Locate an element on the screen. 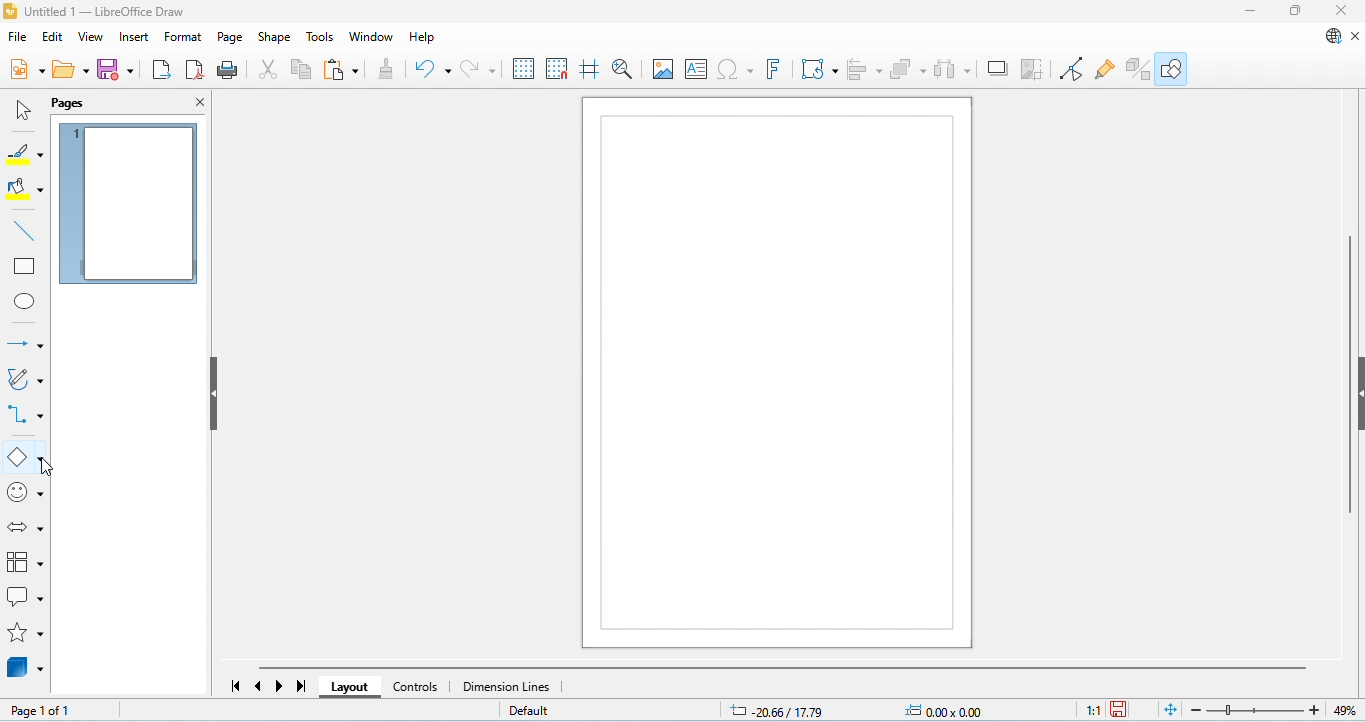 Image resolution: width=1366 pixels, height=722 pixels. minimize is located at coordinates (1251, 12).